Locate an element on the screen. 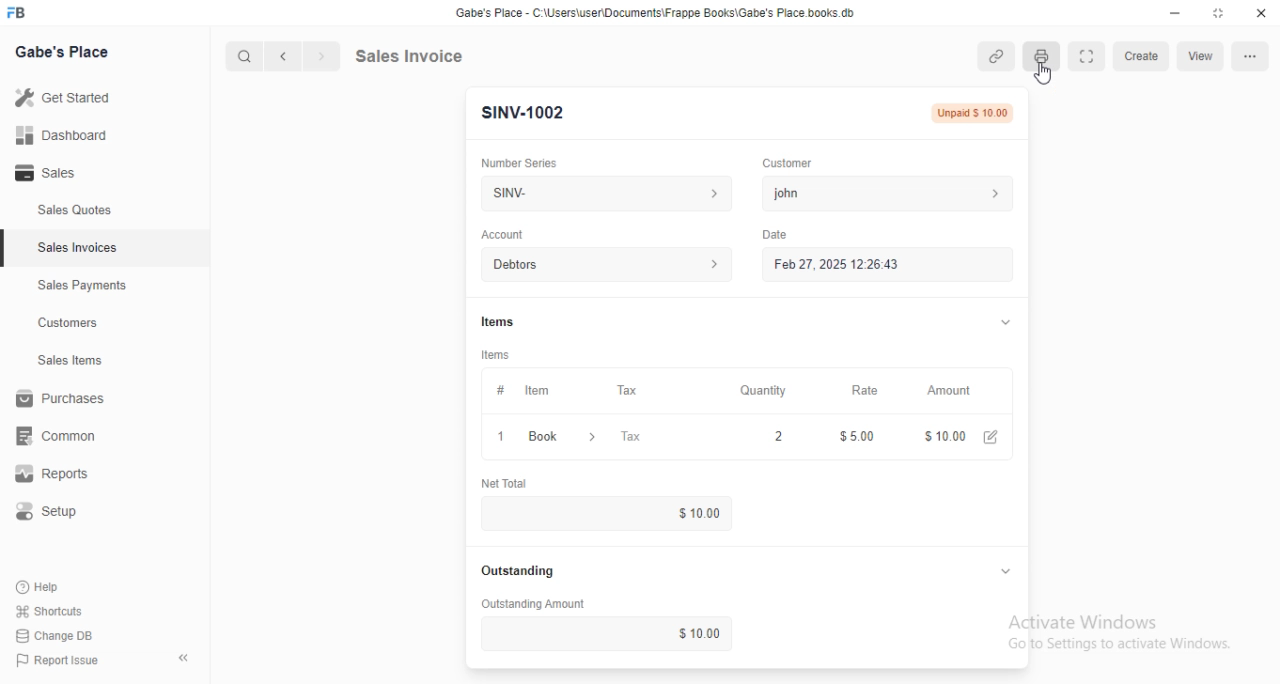 Image resolution: width=1280 pixels, height=684 pixels. minimize is located at coordinates (1175, 13).